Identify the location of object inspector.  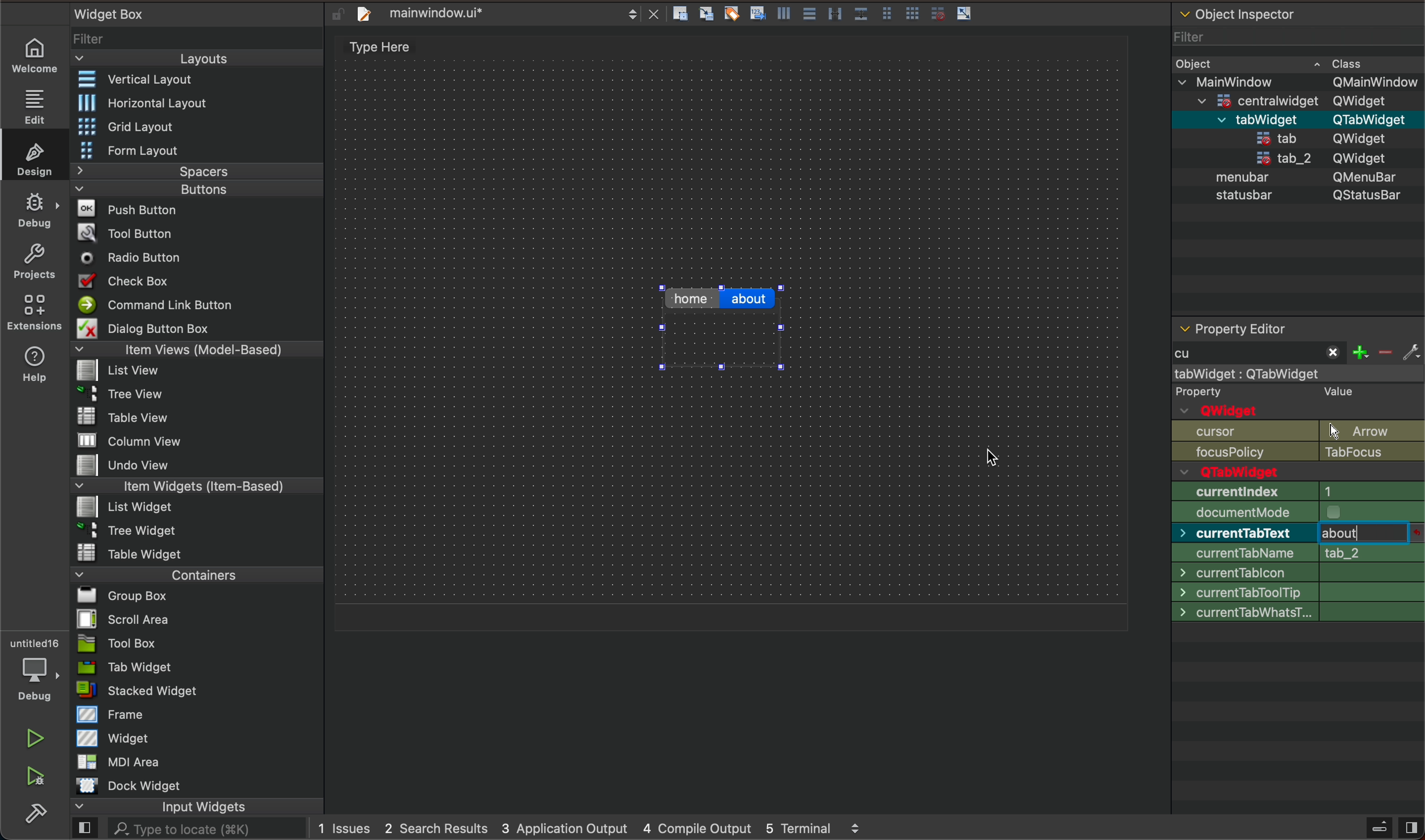
(1298, 16).